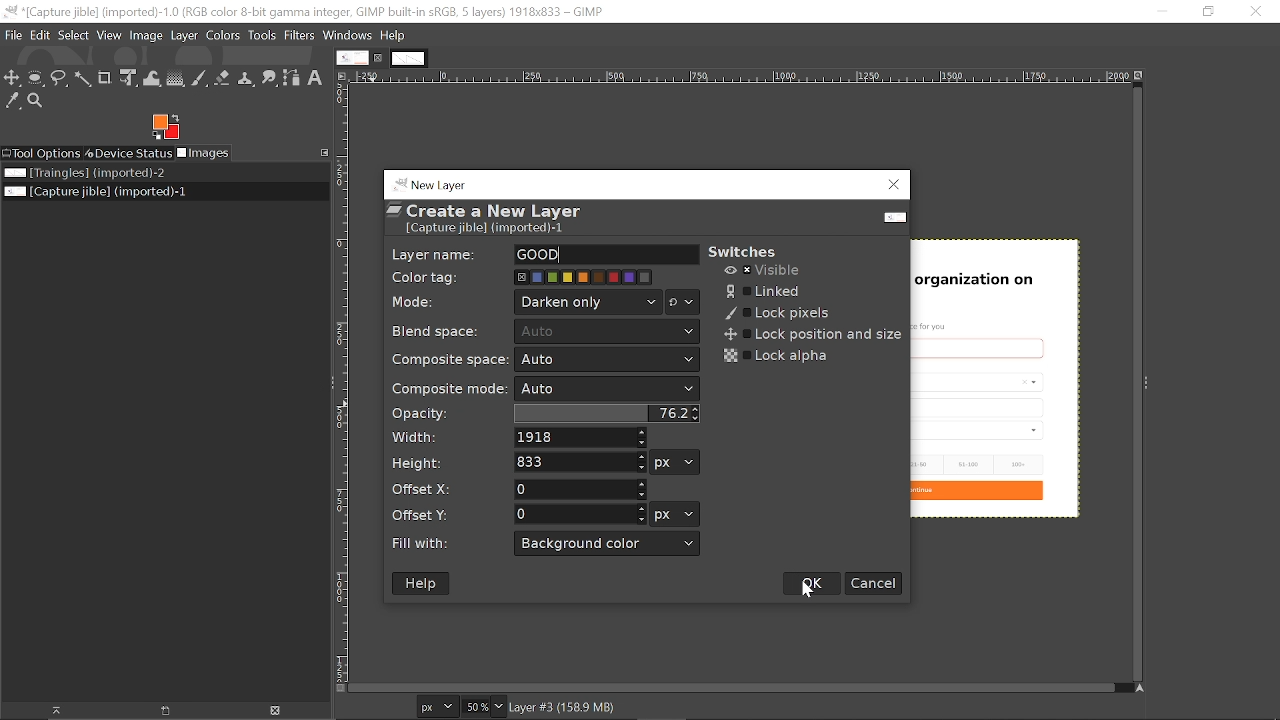  What do you see at coordinates (84, 174) in the screenshot?
I see `Image file titled "Triangles"` at bounding box center [84, 174].